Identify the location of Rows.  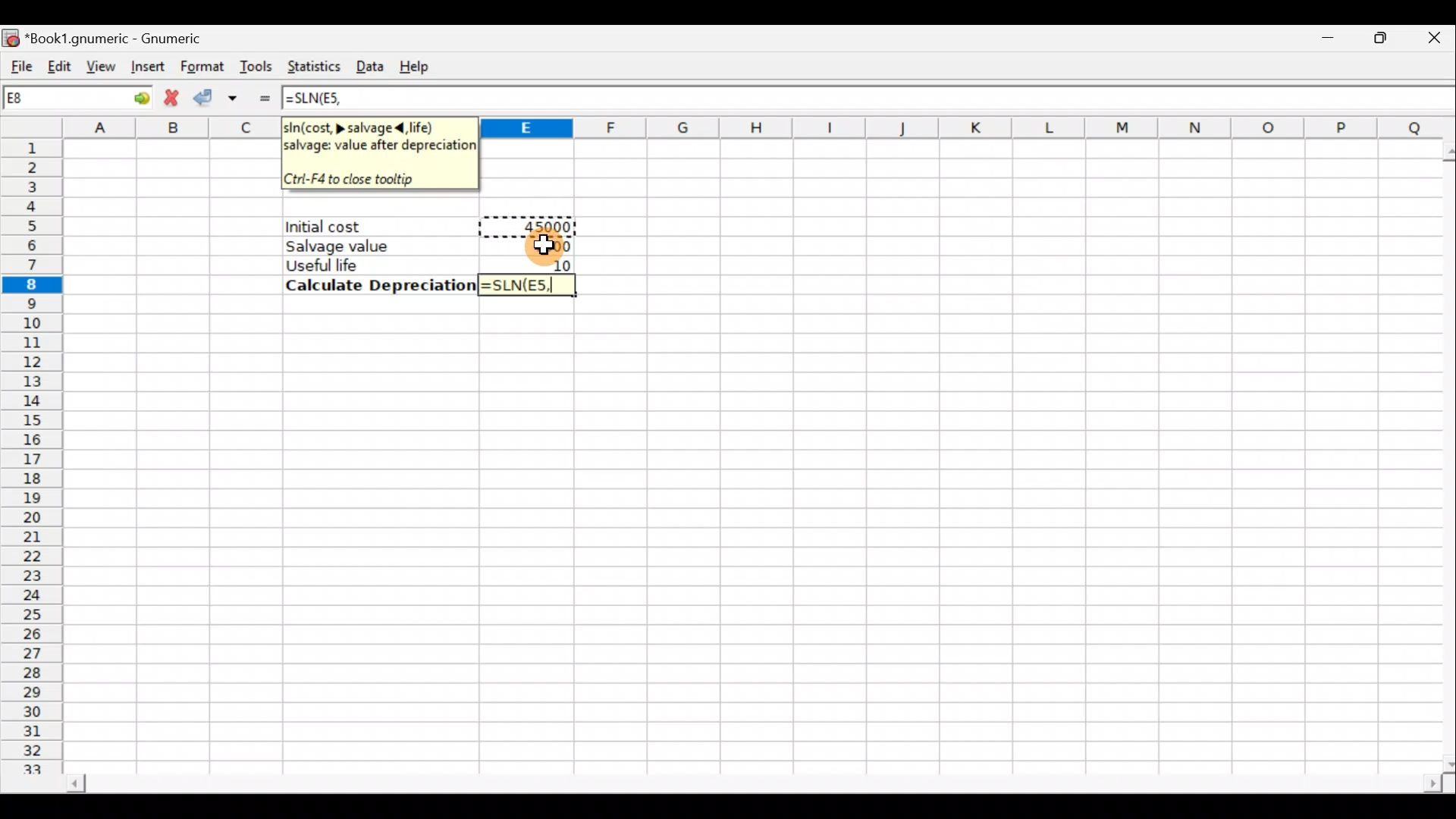
(36, 458).